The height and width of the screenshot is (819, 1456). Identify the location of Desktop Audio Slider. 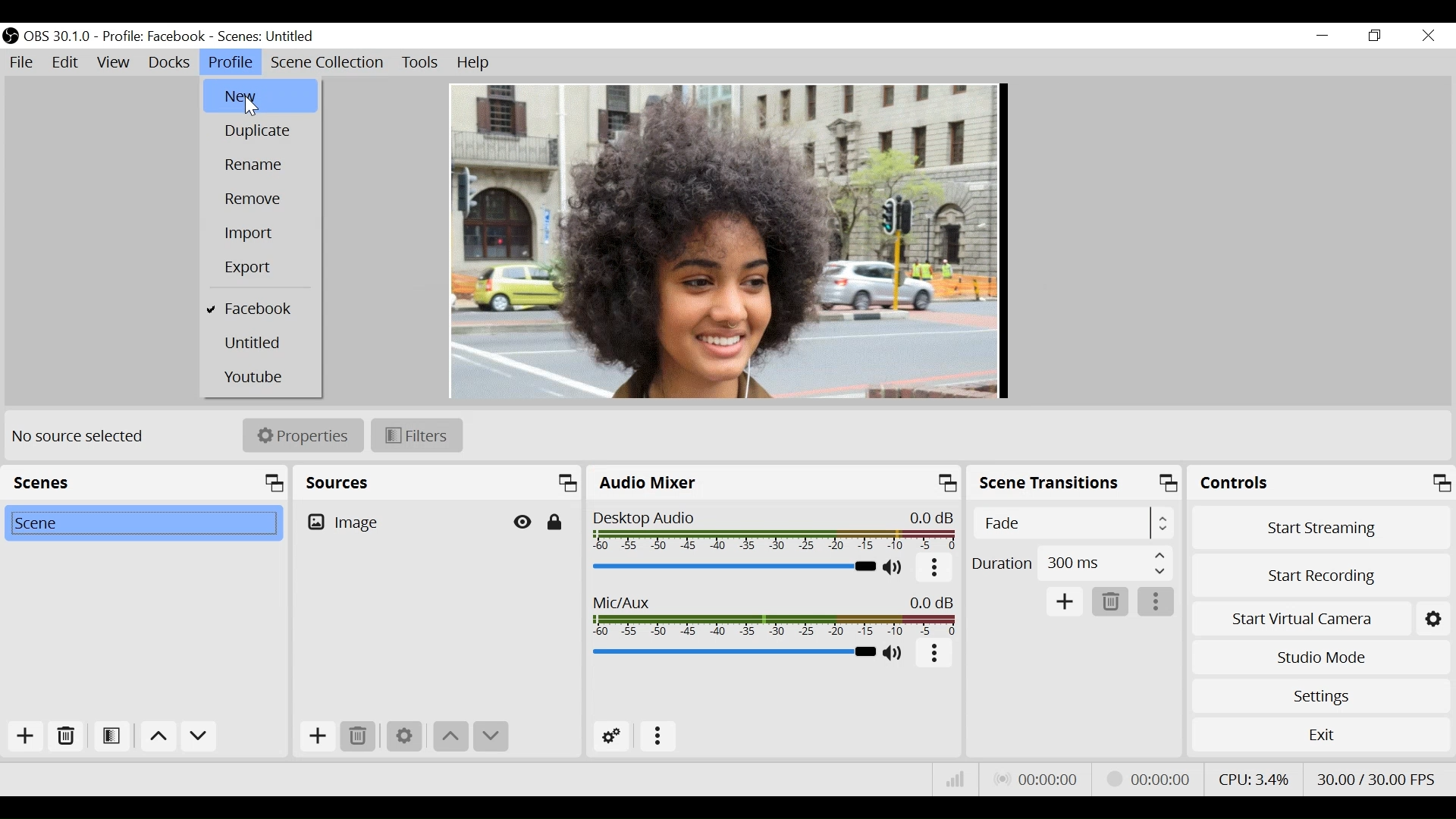
(734, 567).